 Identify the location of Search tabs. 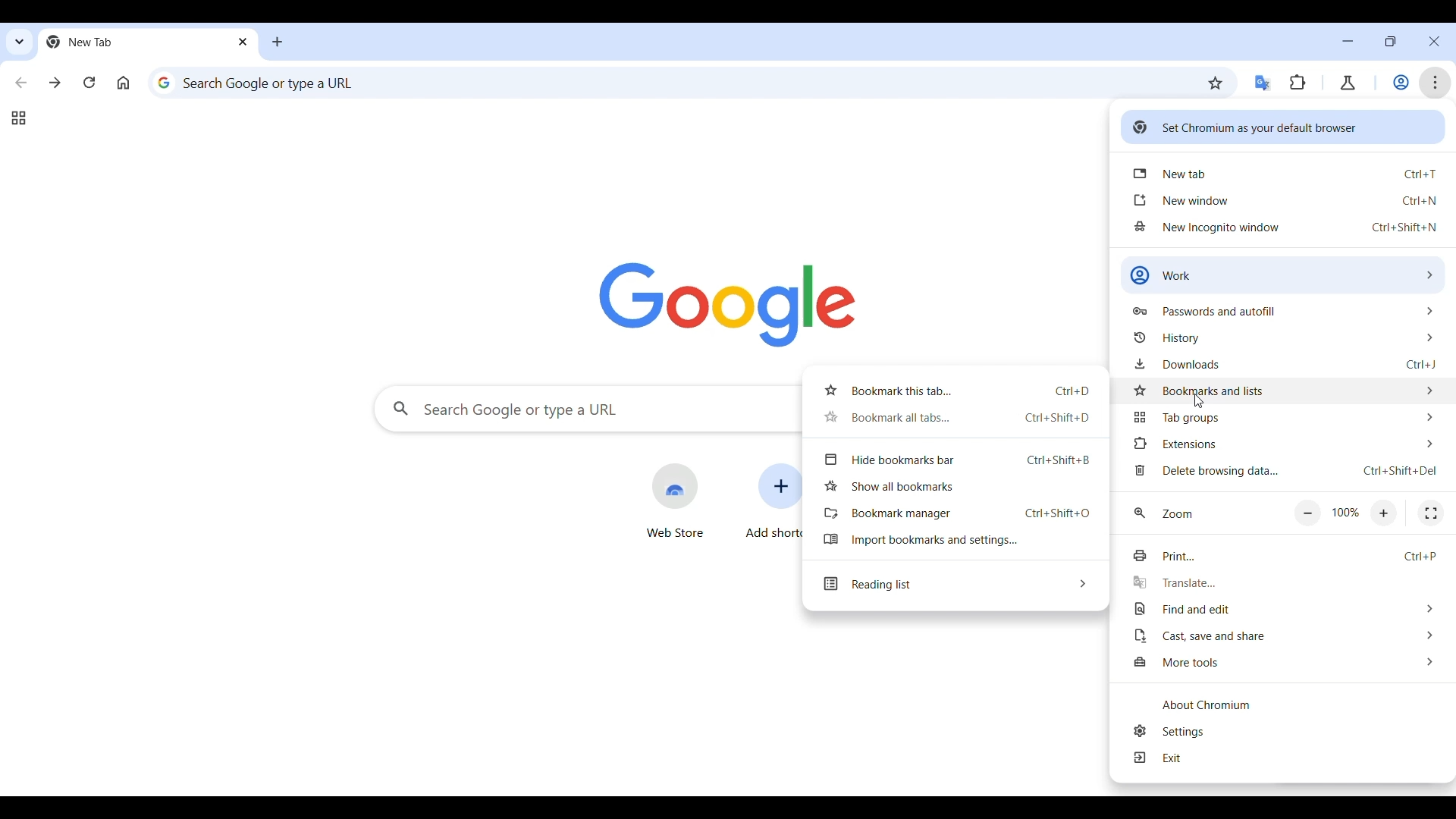
(20, 42).